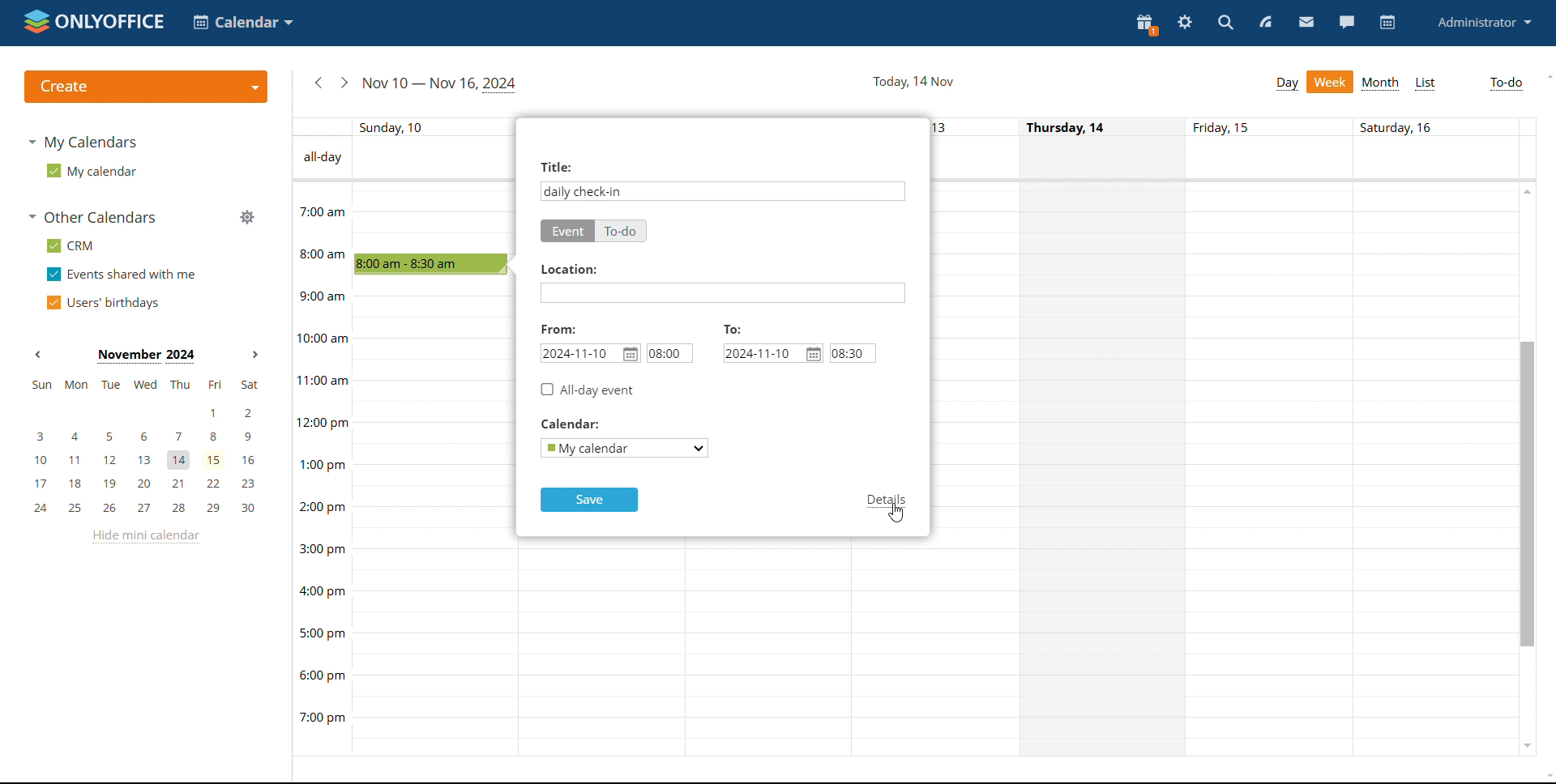  I want to click on select application, so click(243, 23).